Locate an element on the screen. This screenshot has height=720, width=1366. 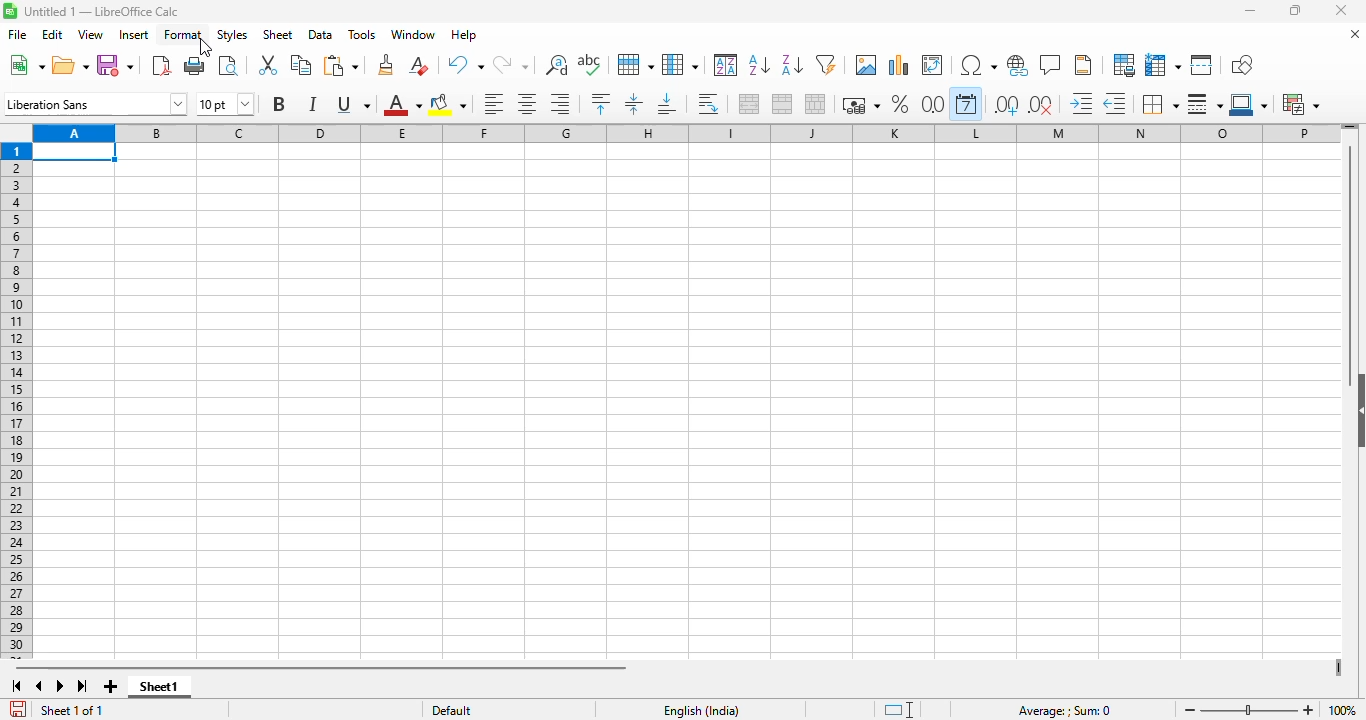
clone formatting is located at coordinates (387, 65).